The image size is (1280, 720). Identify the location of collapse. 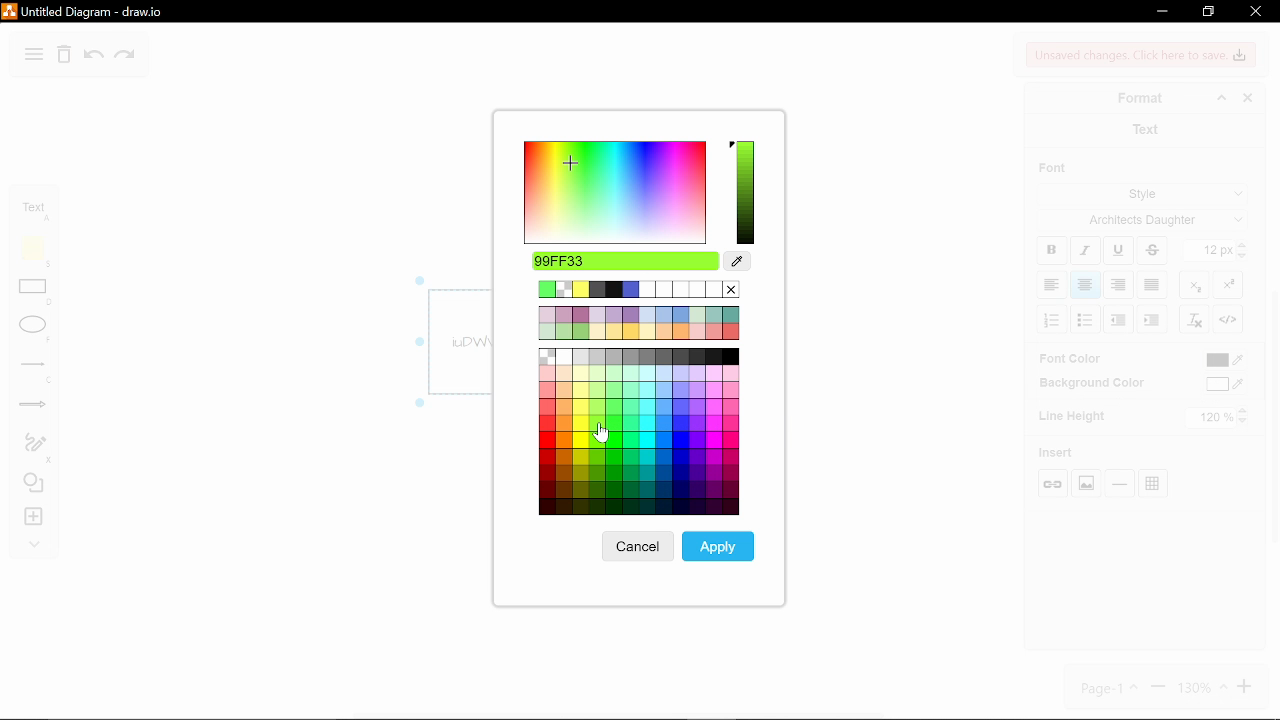
(29, 548).